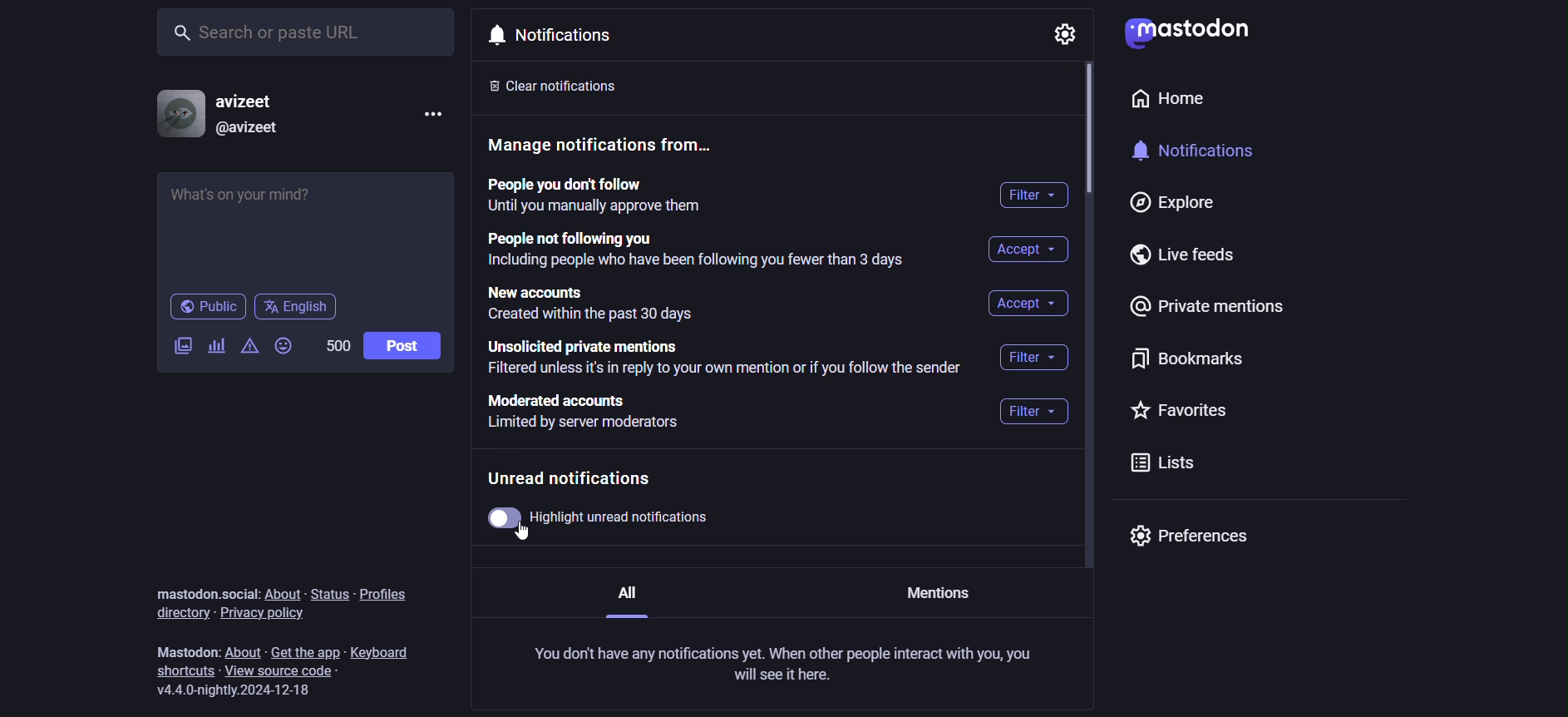  Describe the element at coordinates (939, 594) in the screenshot. I see `Mentions` at that location.